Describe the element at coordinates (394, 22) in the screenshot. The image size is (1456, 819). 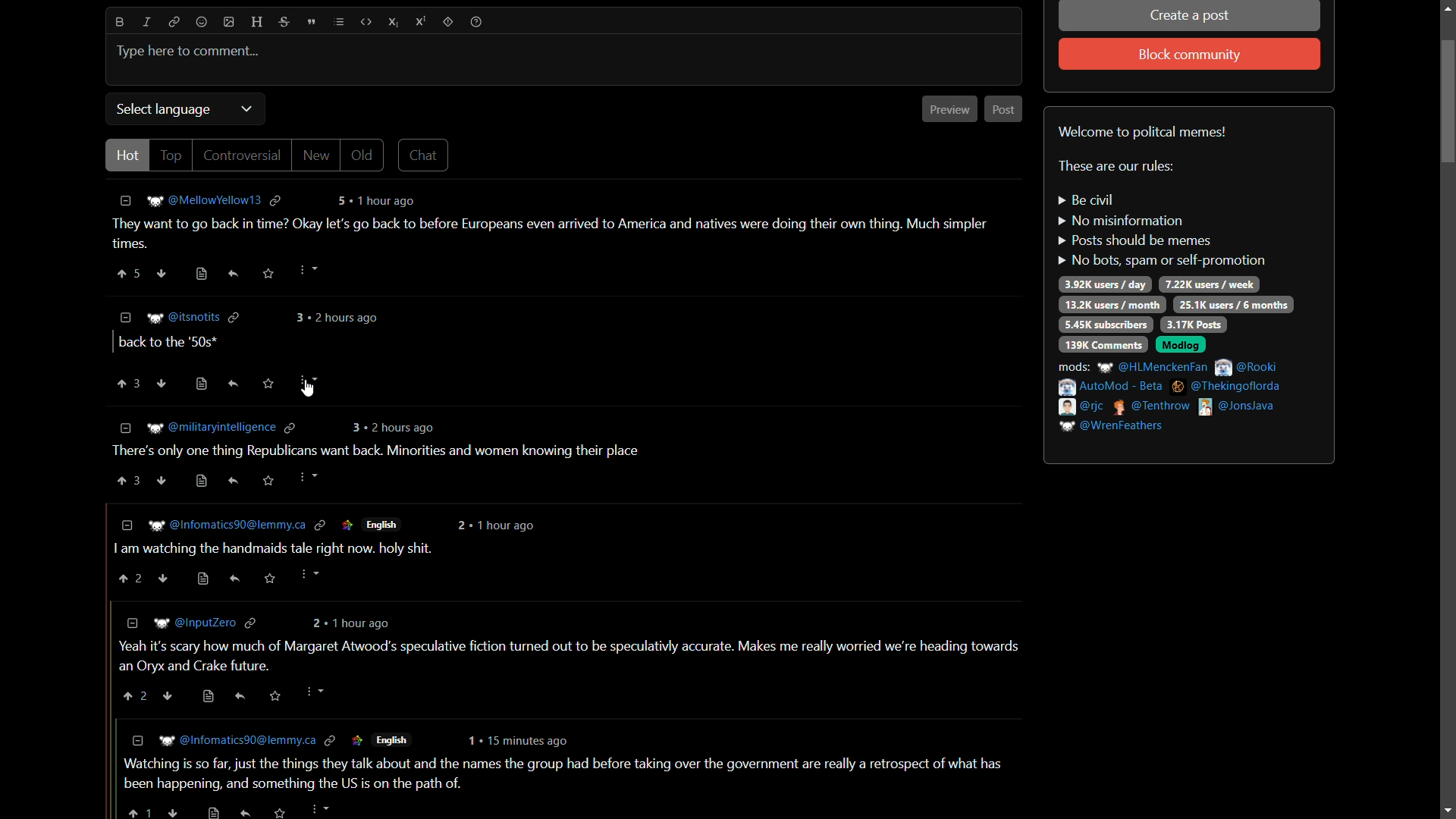
I see `subscript` at that location.